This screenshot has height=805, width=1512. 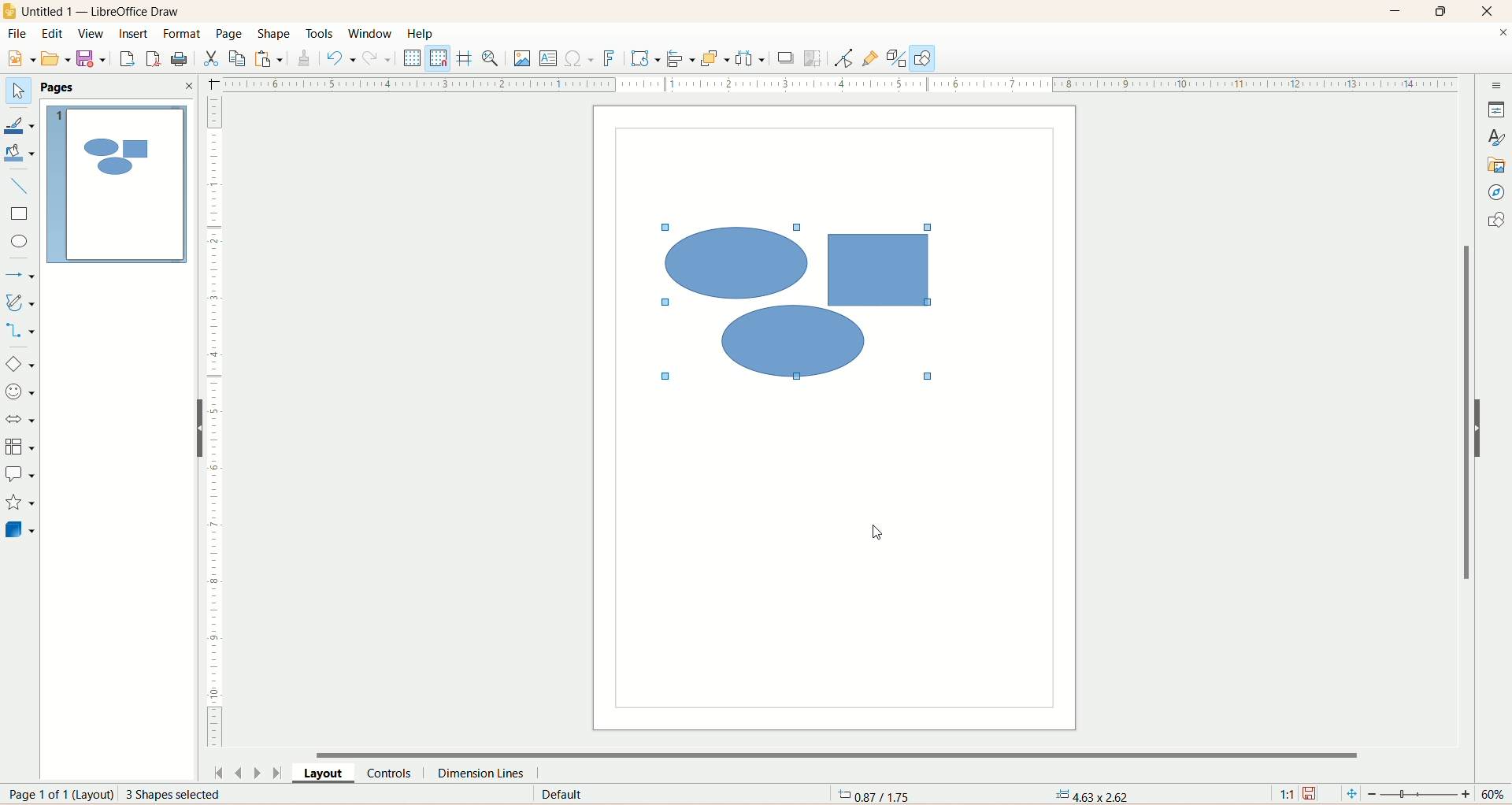 I want to click on properties, so click(x=1498, y=109).